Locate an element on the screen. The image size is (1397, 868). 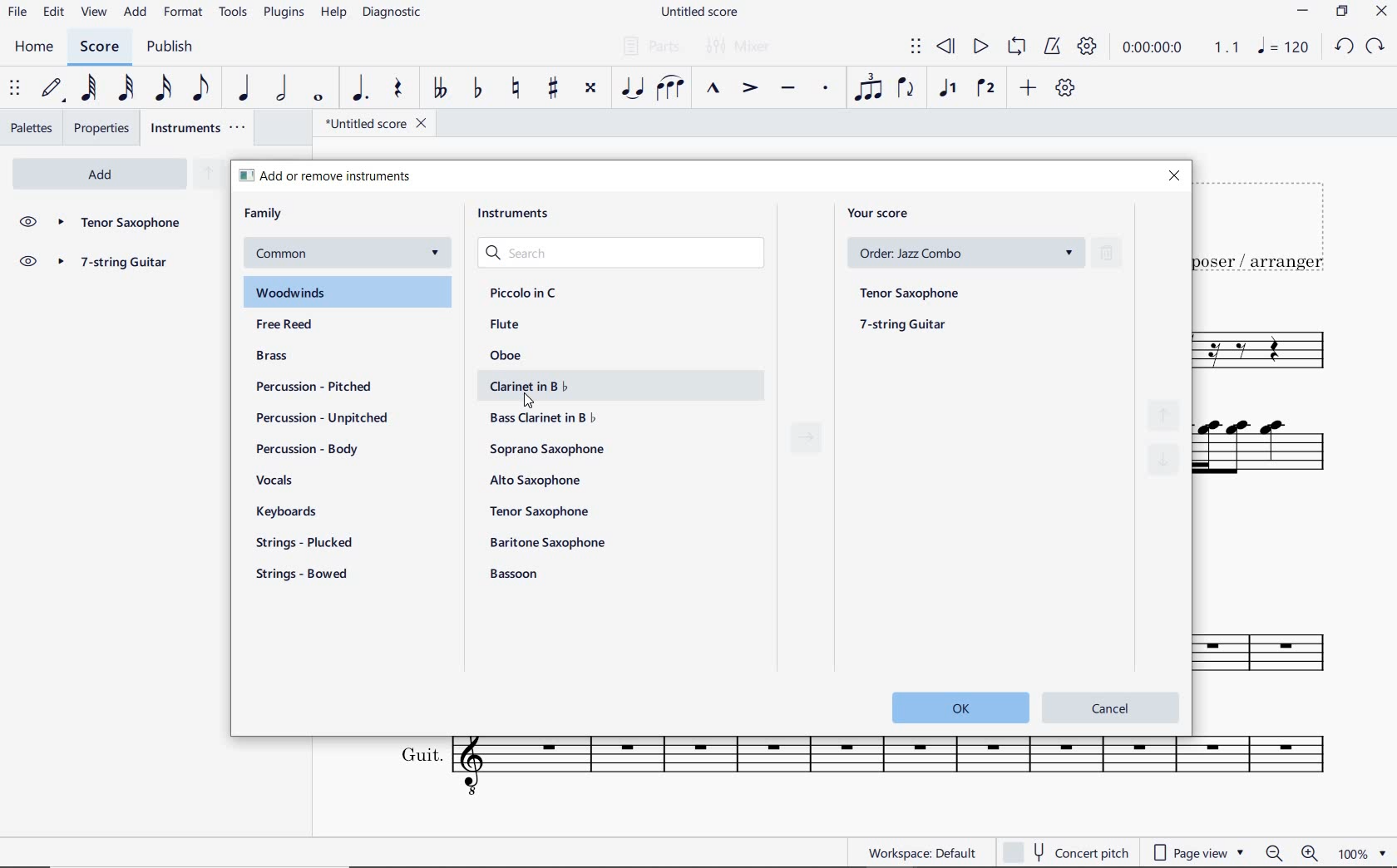
add or remove instruments is located at coordinates (346, 175).